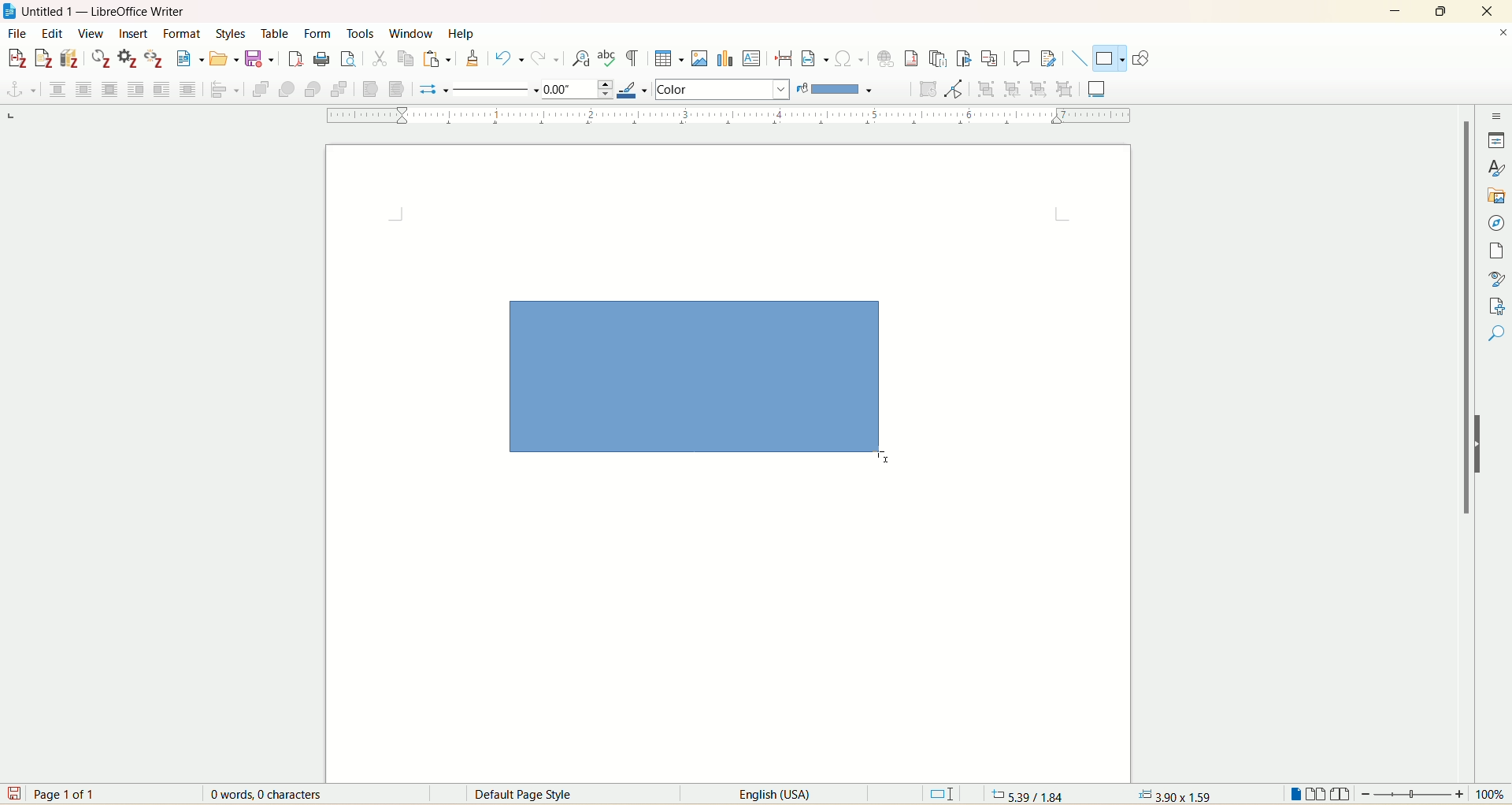 This screenshot has height=805, width=1512. What do you see at coordinates (1497, 276) in the screenshot?
I see `style inspector` at bounding box center [1497, 276].